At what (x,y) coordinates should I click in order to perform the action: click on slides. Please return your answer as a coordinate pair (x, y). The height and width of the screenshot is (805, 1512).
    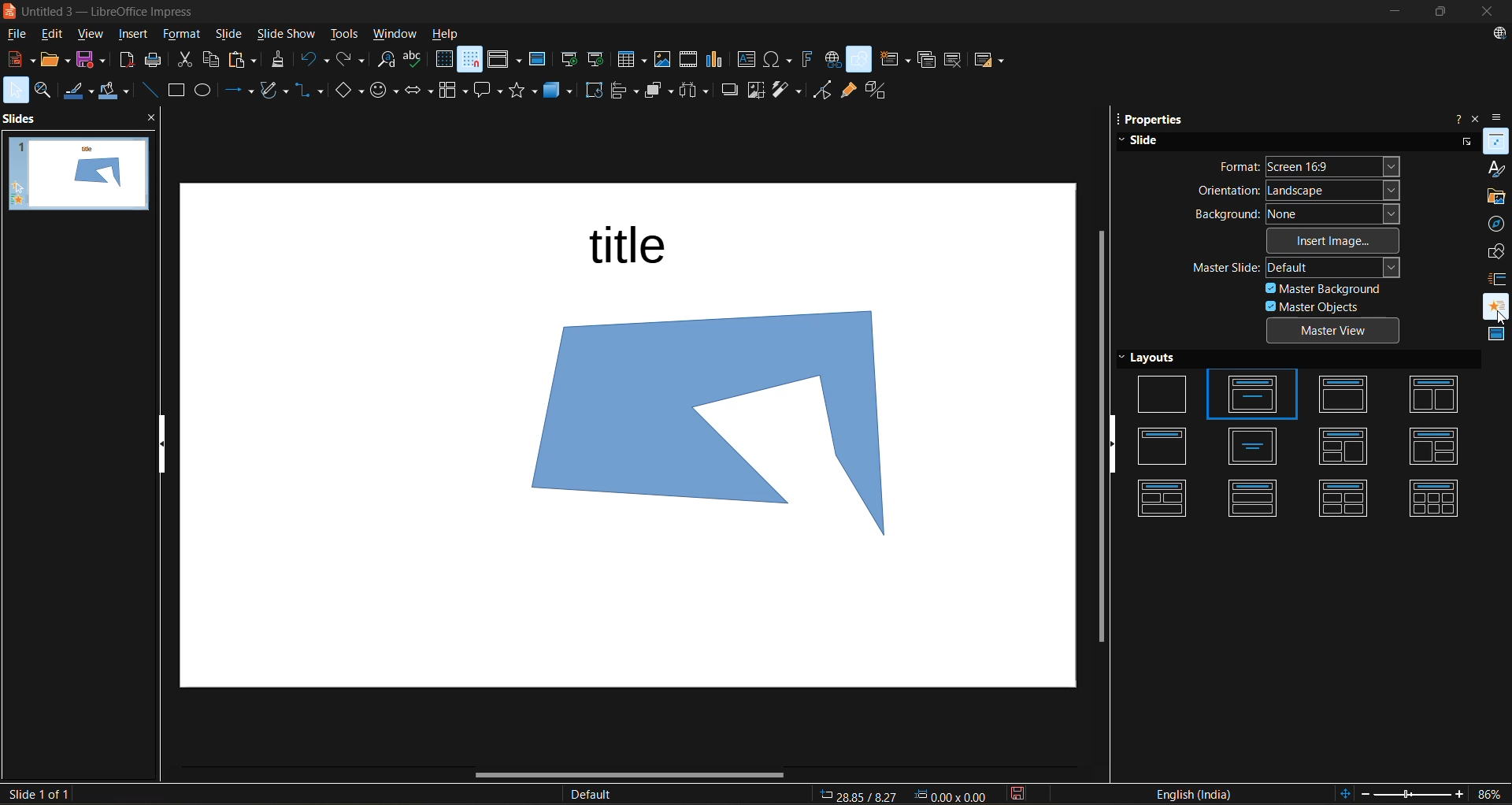
    Looking at the image, I should click on (24, 118).